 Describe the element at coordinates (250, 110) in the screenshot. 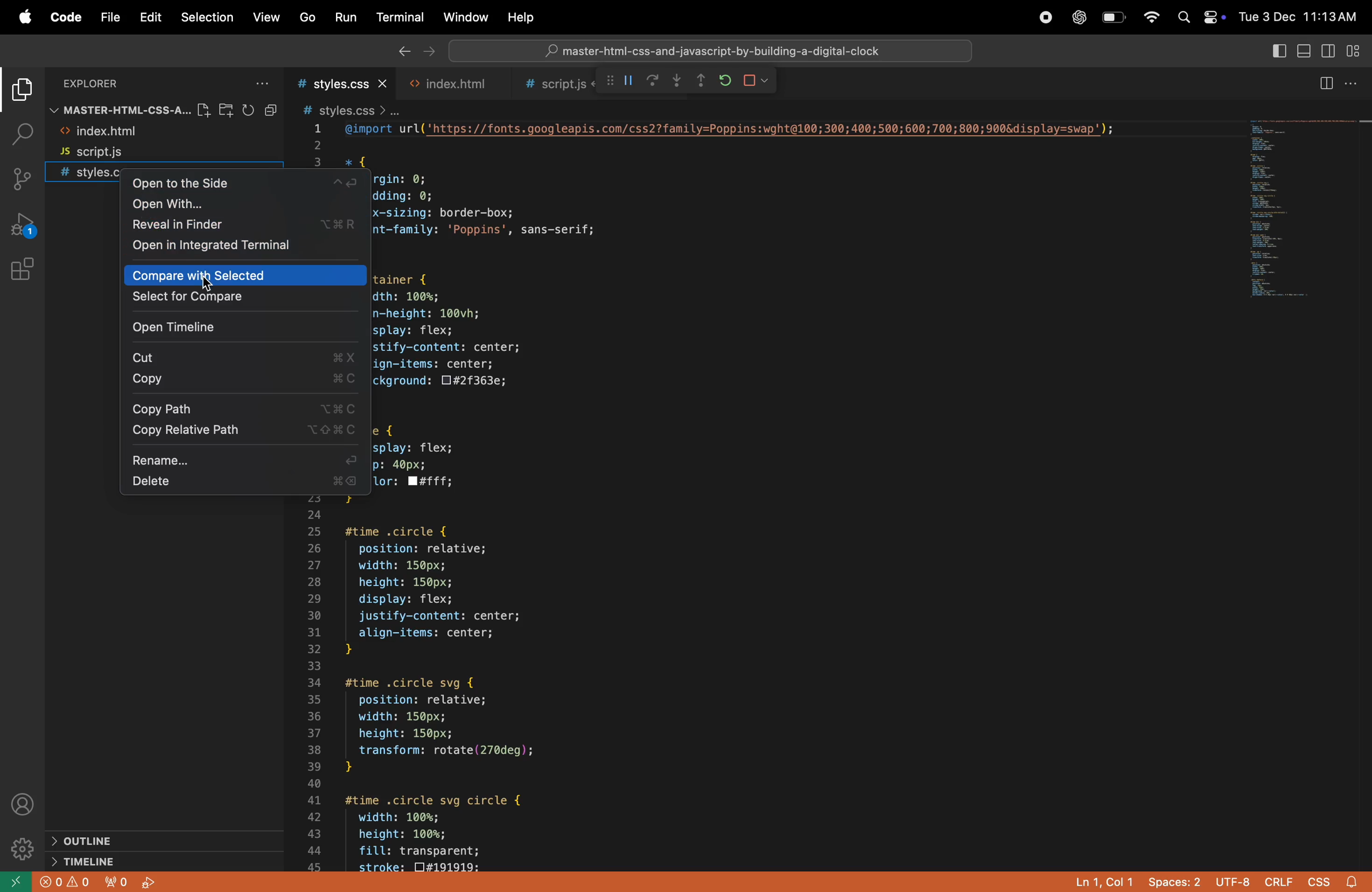

I see `refresh explorer` at that location.